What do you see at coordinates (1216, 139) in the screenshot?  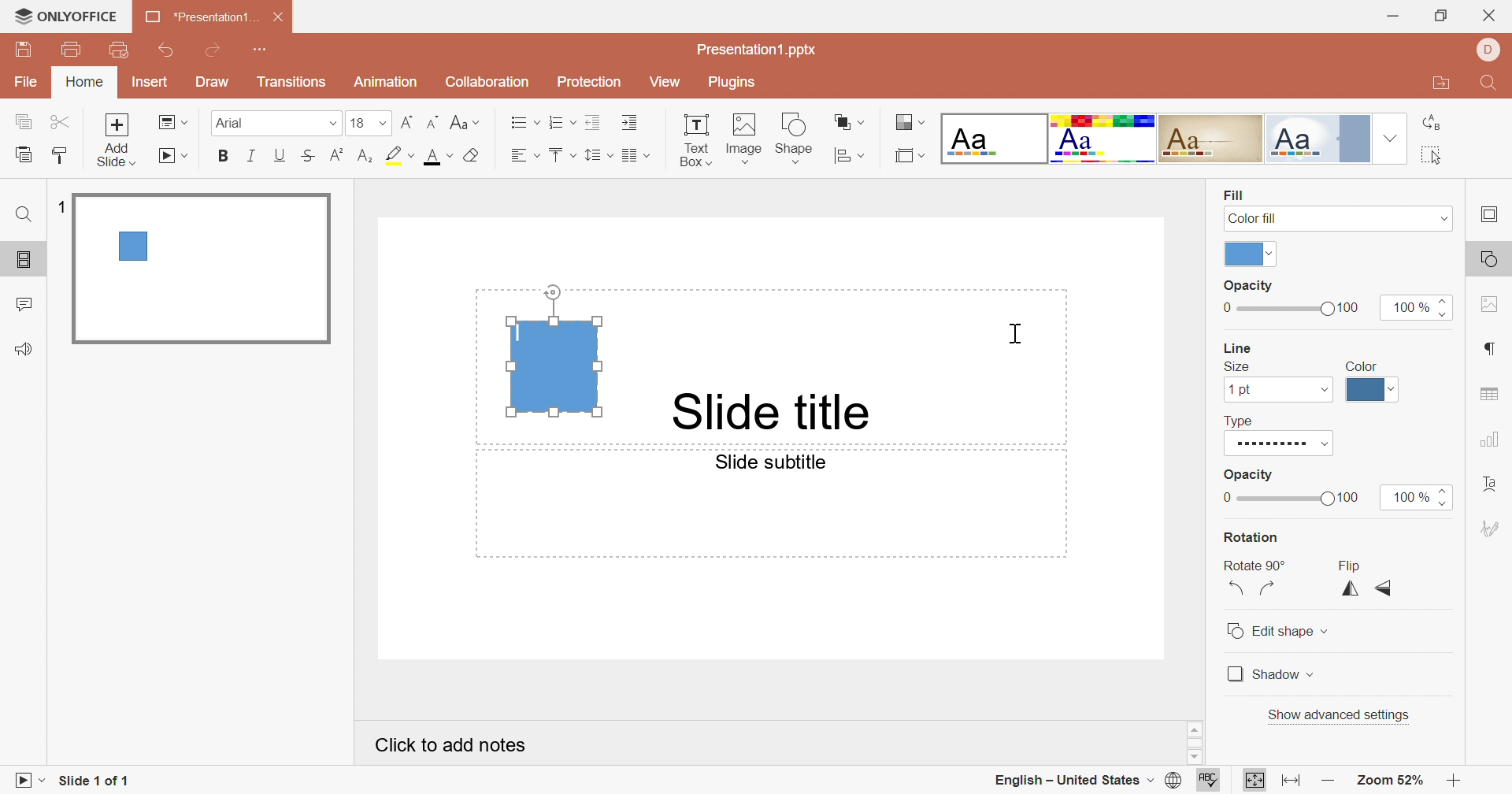 I see `Classic` at bounding box center [1216, 139].